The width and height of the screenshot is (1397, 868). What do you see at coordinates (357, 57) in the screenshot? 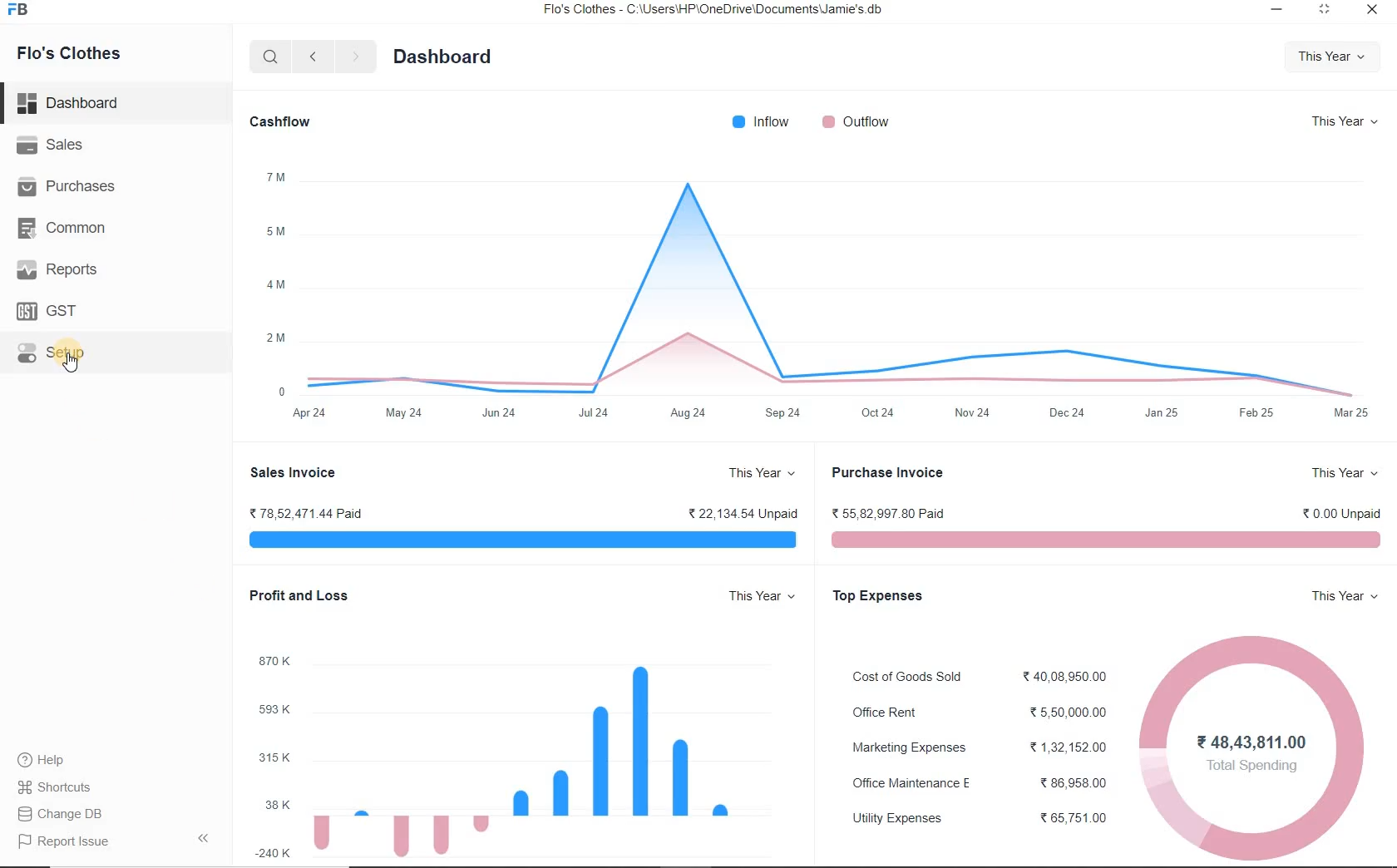
I see `next` at bounding box center [357, 57].